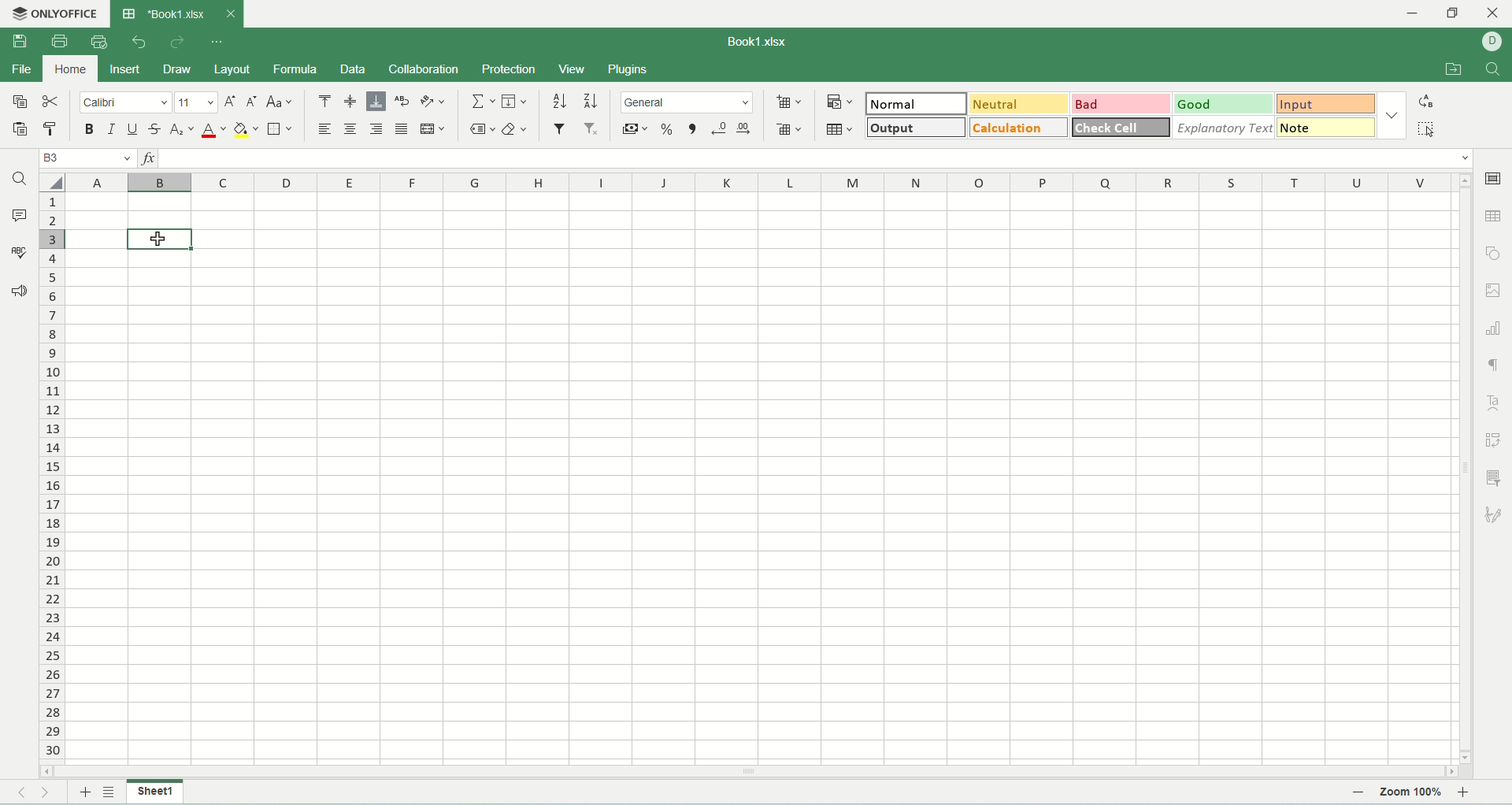 The width and height of the screenshot is (1512, 805). What do you see at coordinates (573, 69) in the screenshot?
I see `views` at bounding box center [573, 69].